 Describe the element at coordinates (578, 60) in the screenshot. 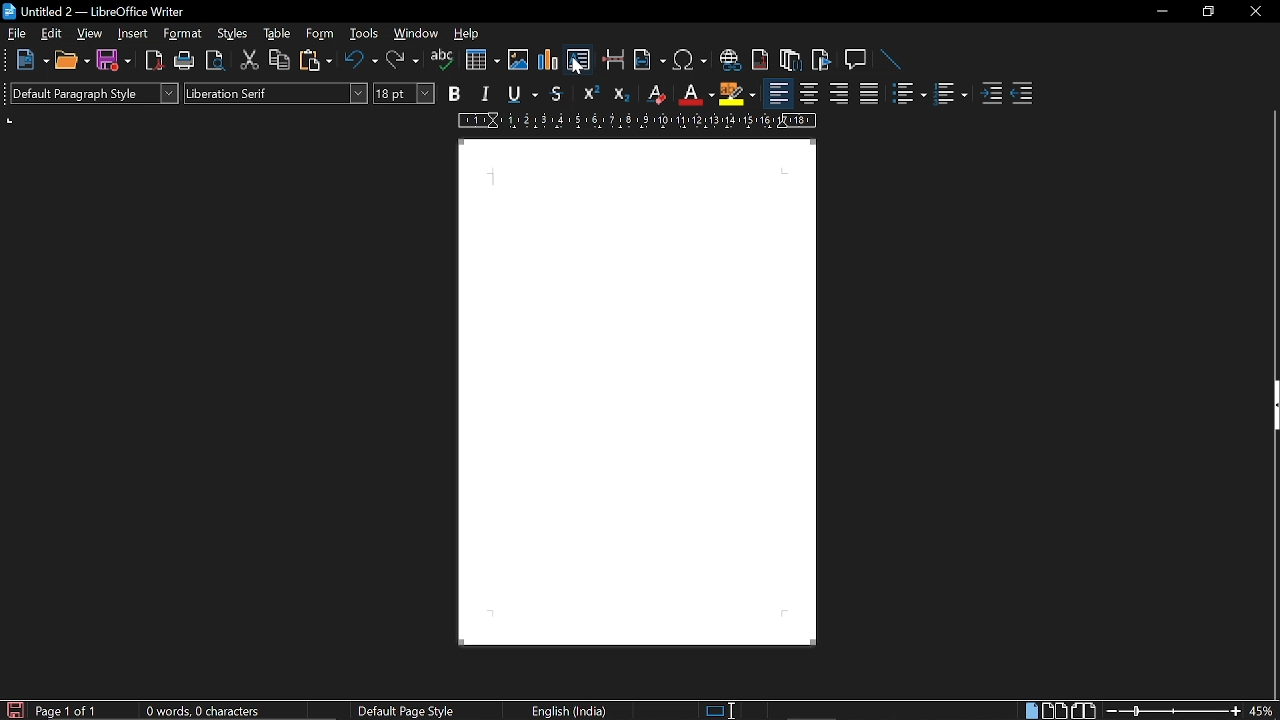

I see `insert text` at that location.